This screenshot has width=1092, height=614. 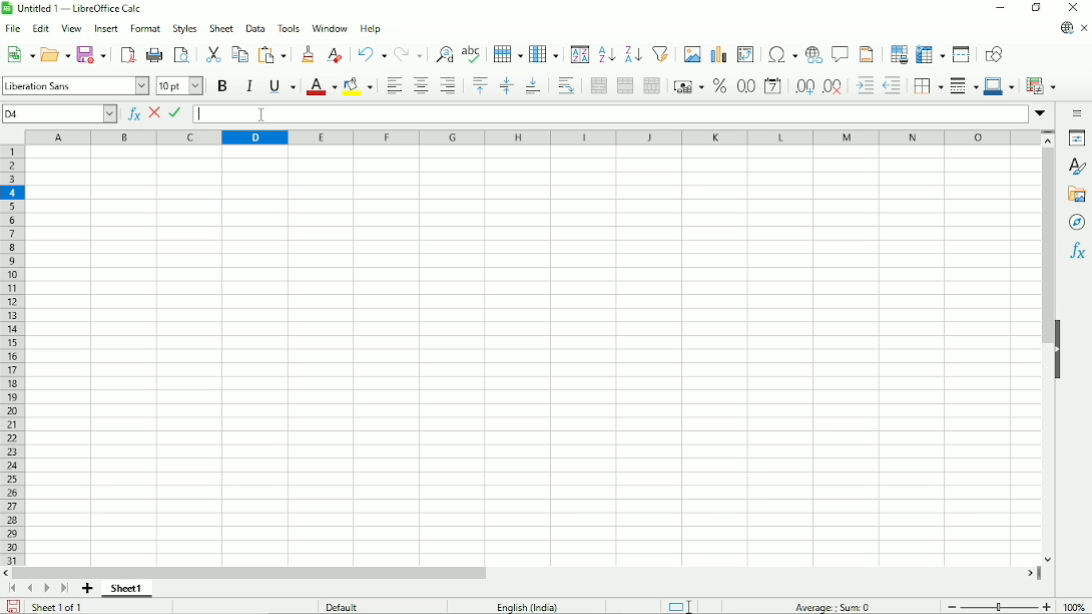 I want to click on Save, so click(x=14, y=606).